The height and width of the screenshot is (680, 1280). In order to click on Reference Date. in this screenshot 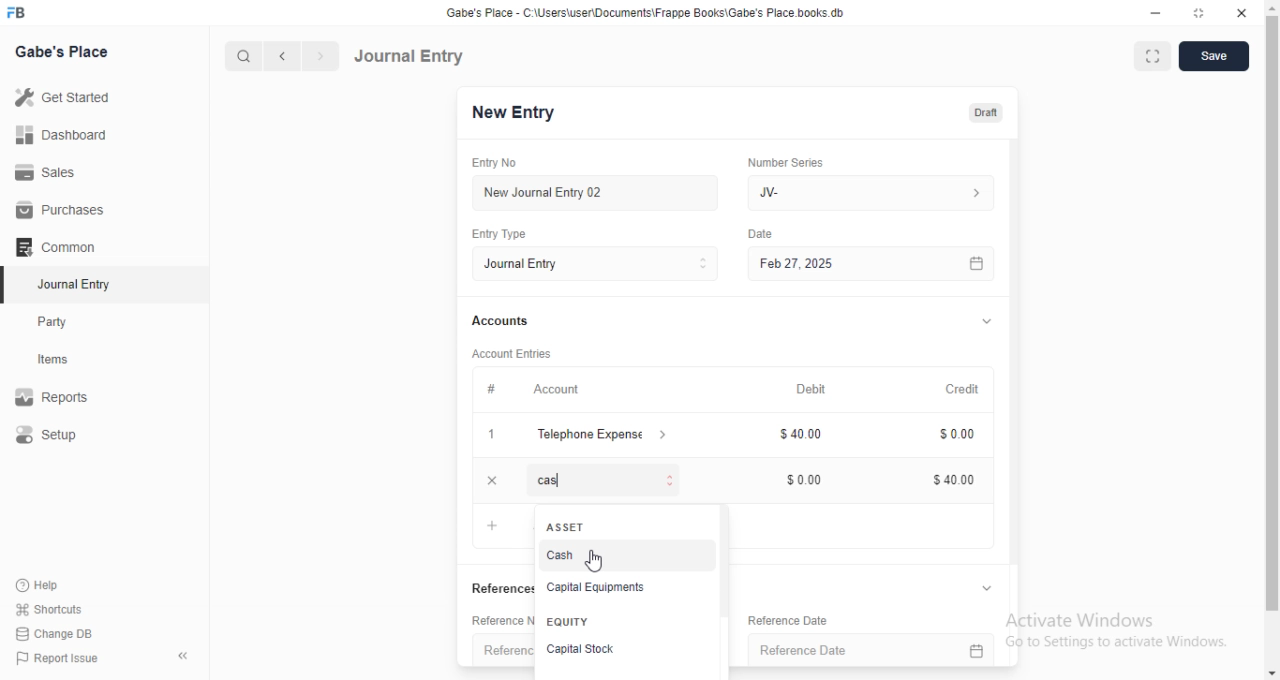, I will do `click(879, 647)`.